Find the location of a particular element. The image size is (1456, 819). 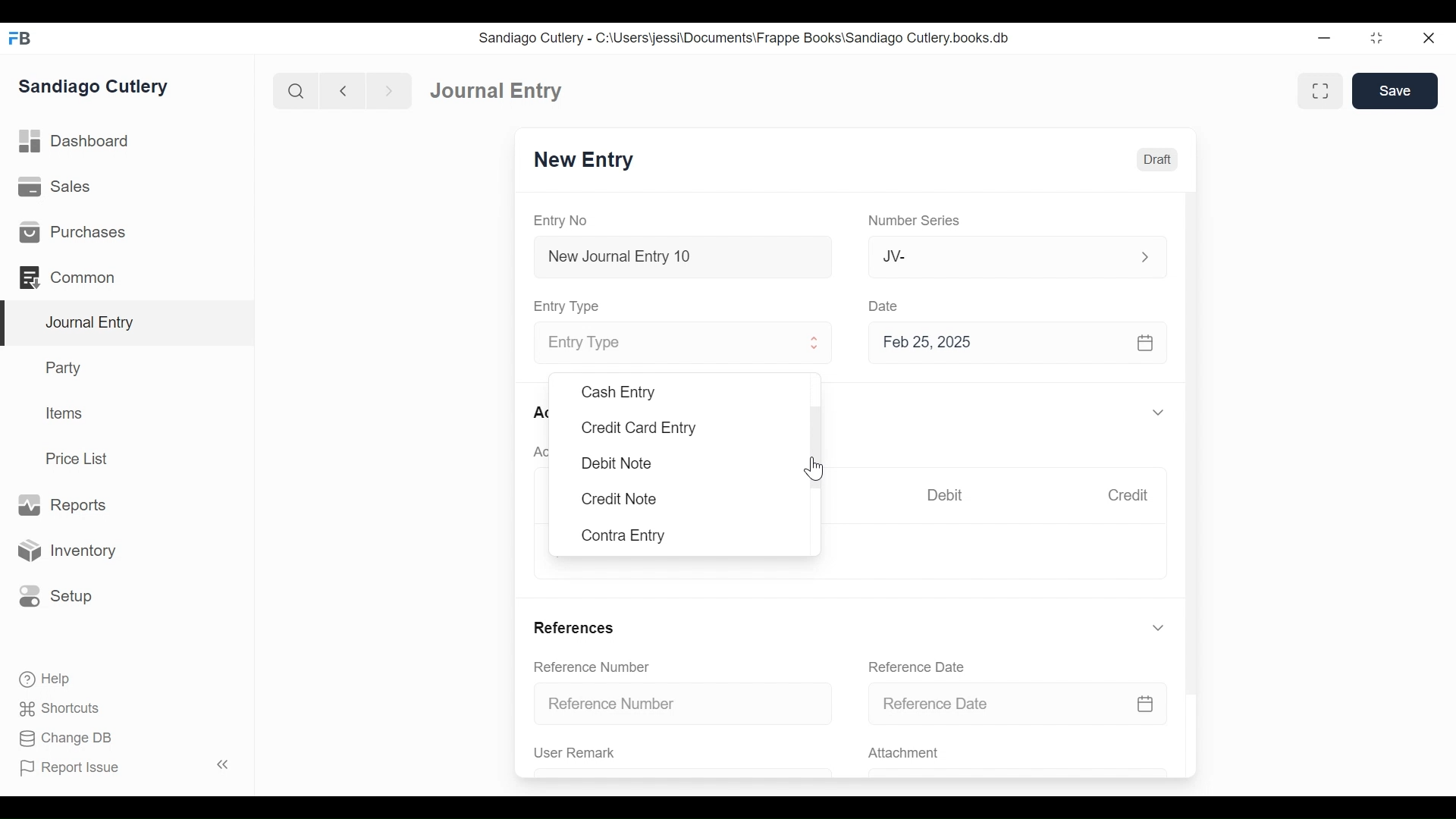

JV- is located at coordinates (998, 256).